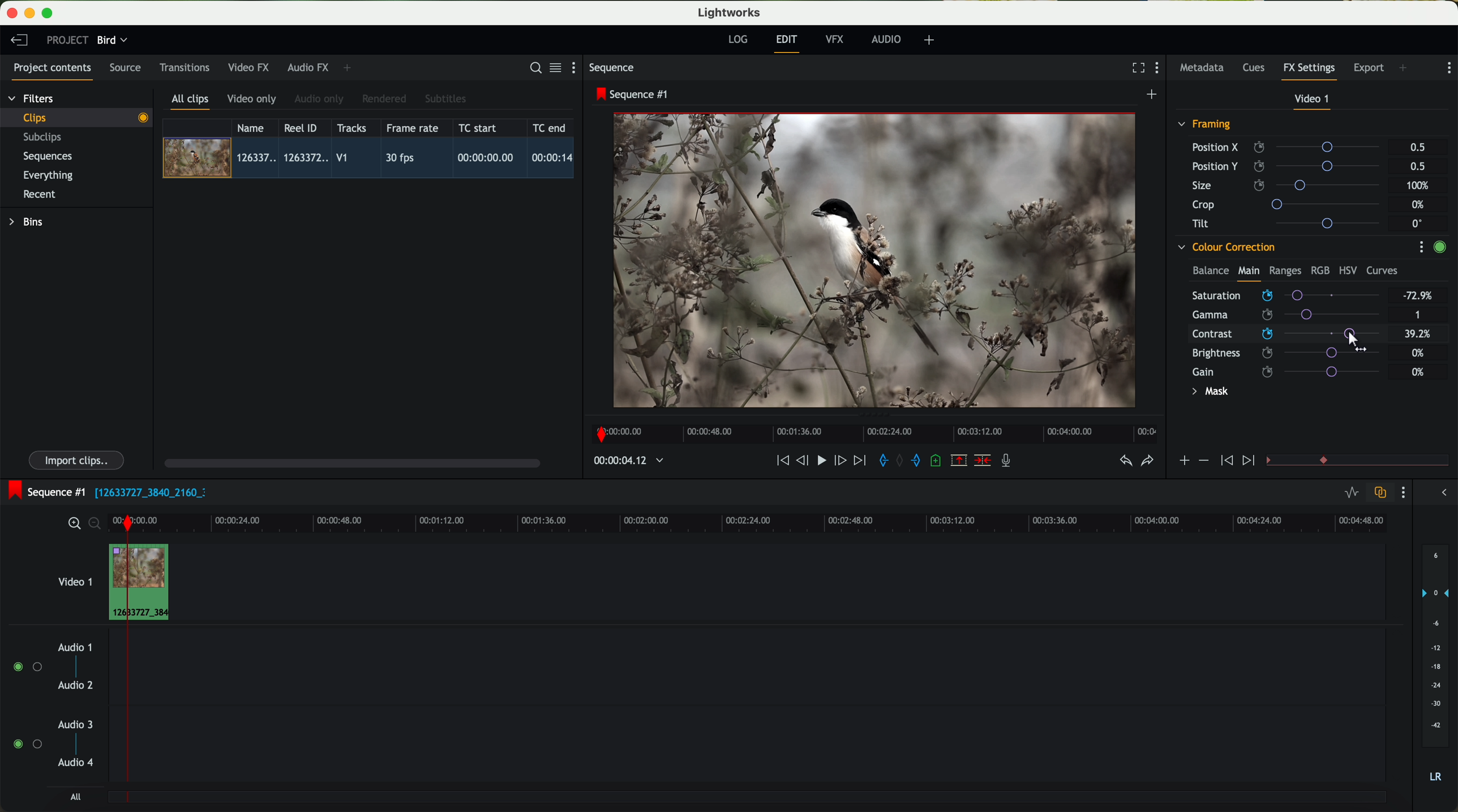 Image resolution: width=1458 pixels, height=812 pixels. Describe the element at coordinates (385, 100) in the screenshot. I see `rendered` at that location.